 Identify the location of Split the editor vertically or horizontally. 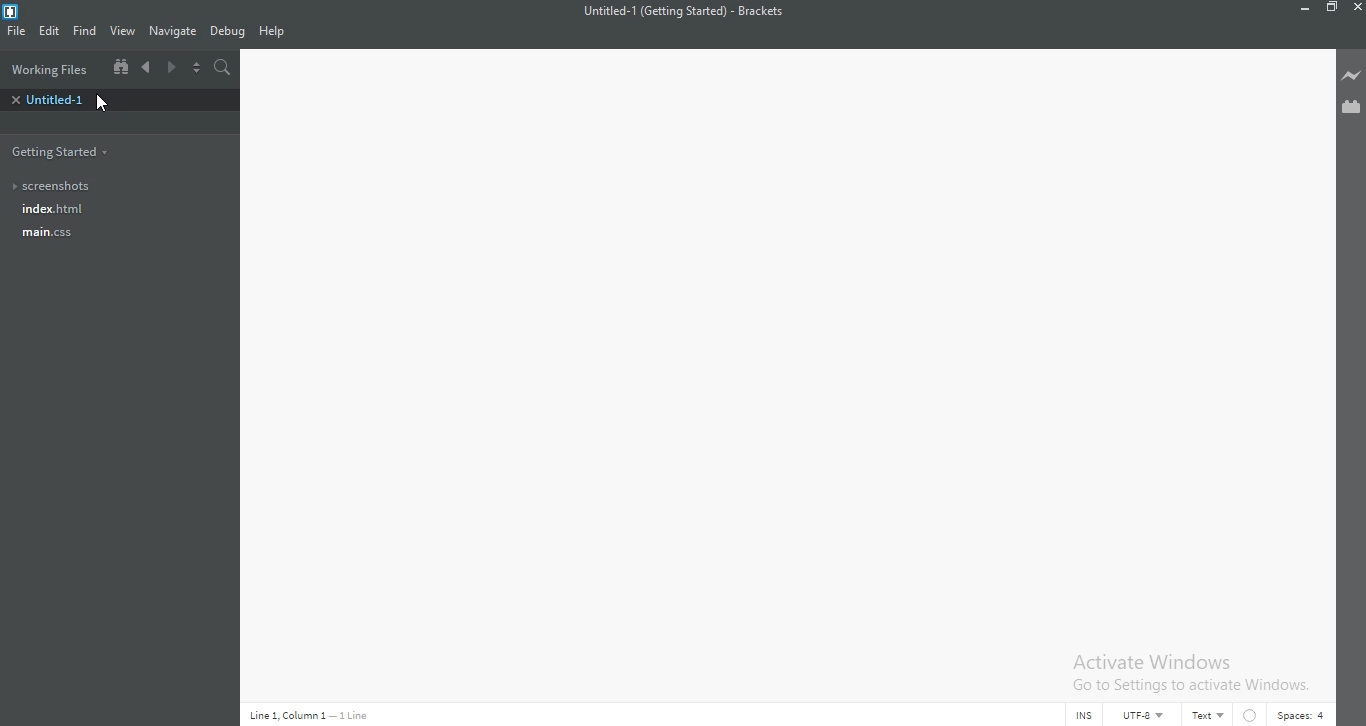
(196, 68).